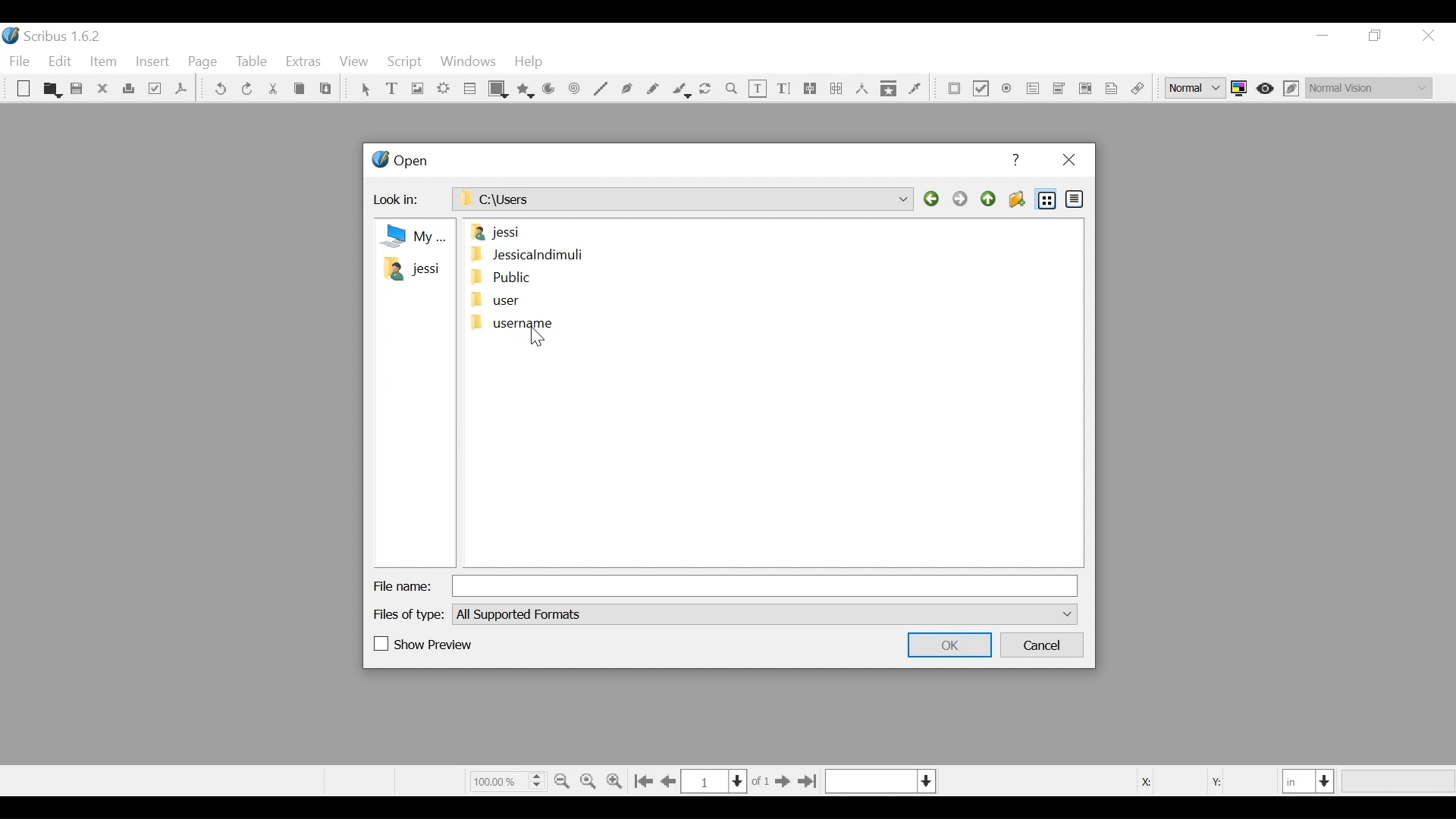 Image resolution: width=1456 pixels, height=819 pixels. I want to click on Item, so click(102, 62).